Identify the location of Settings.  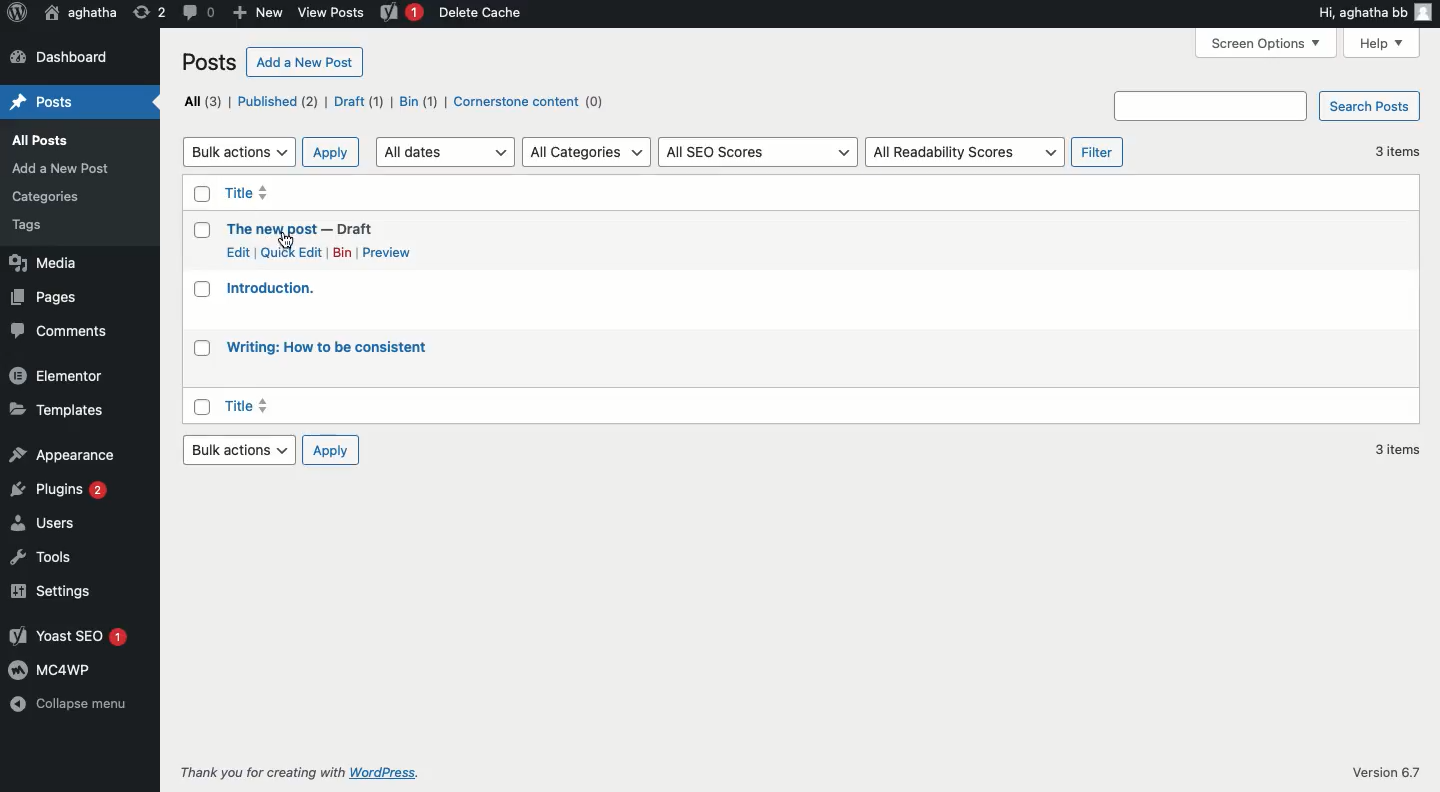
(62, 590).